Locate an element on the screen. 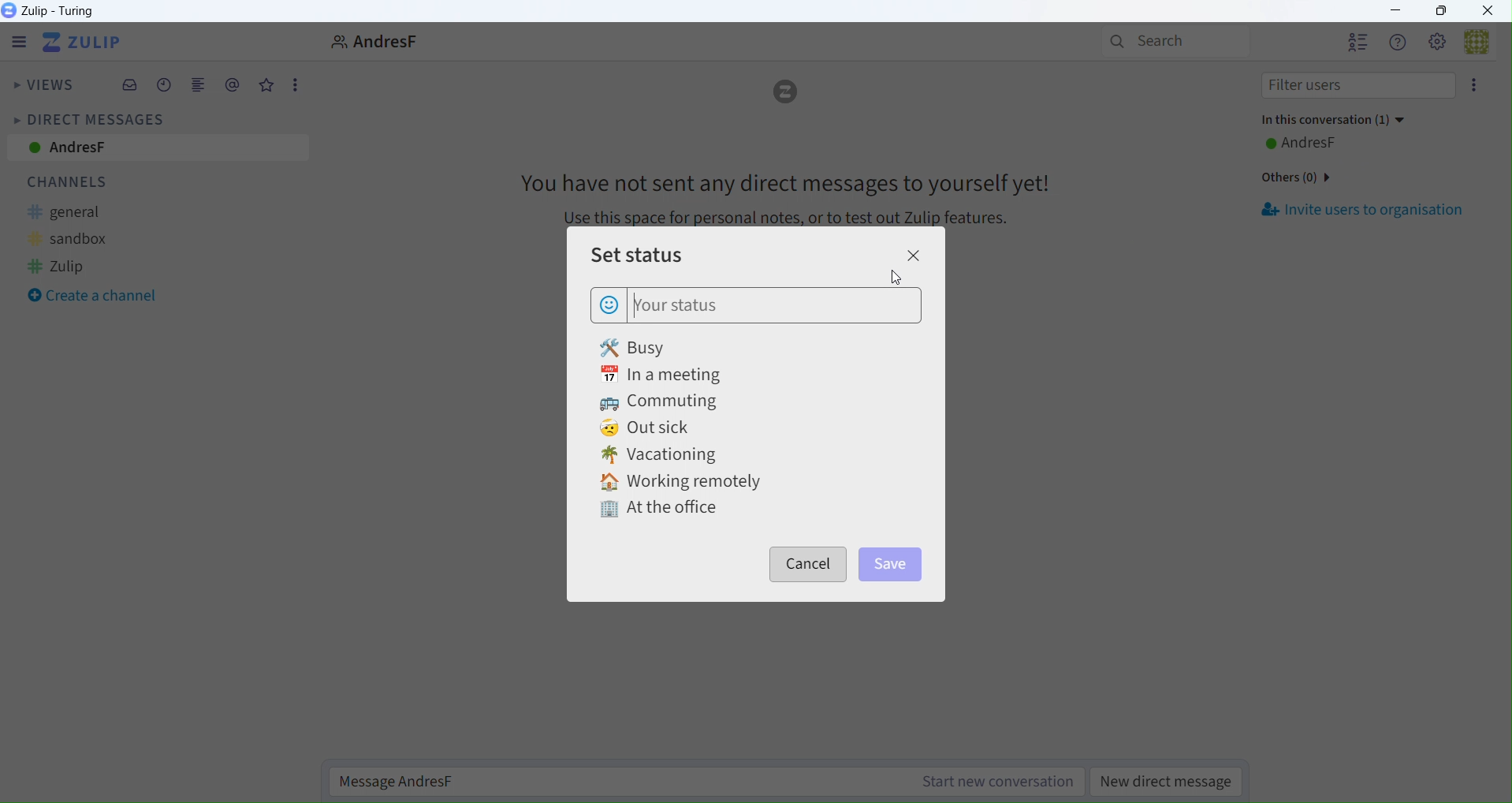 The height and width of the screenshot is (803, 1512). In a meeting is located at coordinates (661, 375).